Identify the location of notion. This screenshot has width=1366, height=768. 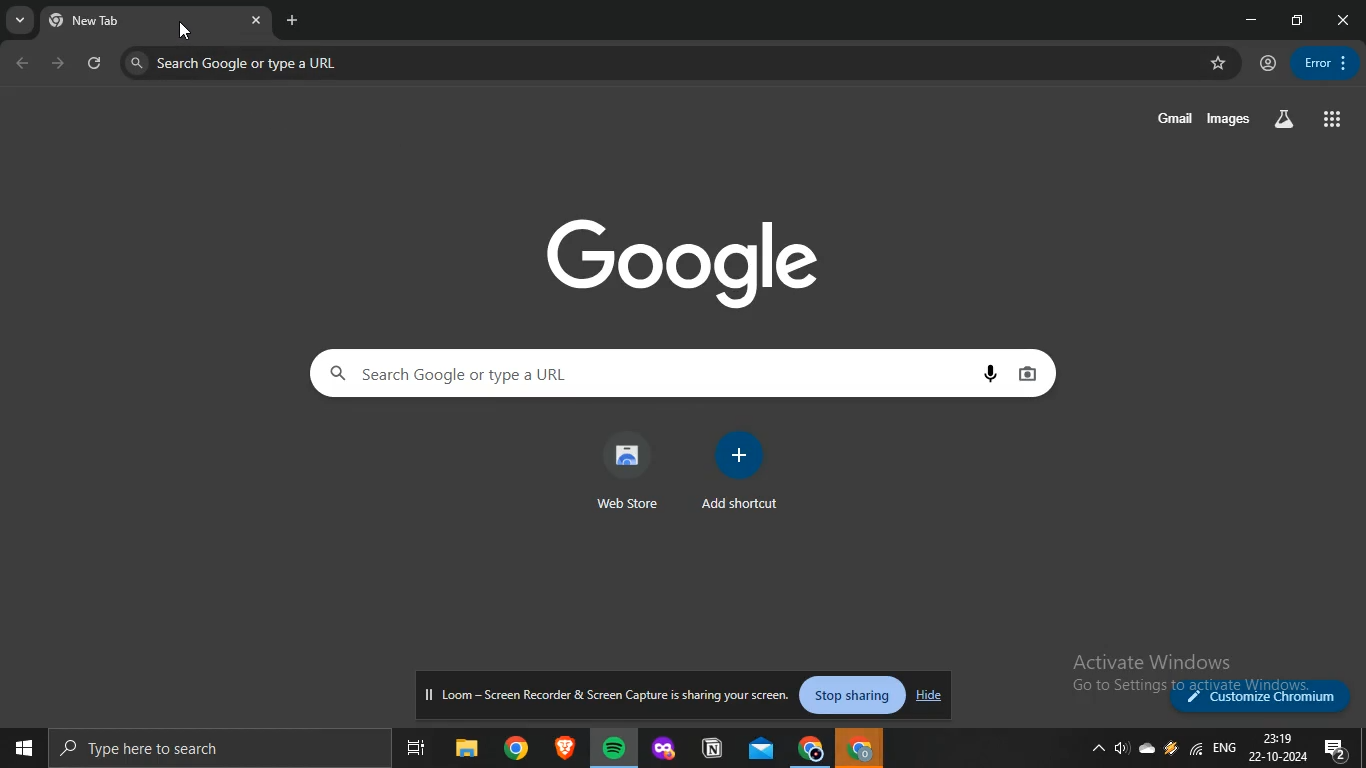
(712, 749).